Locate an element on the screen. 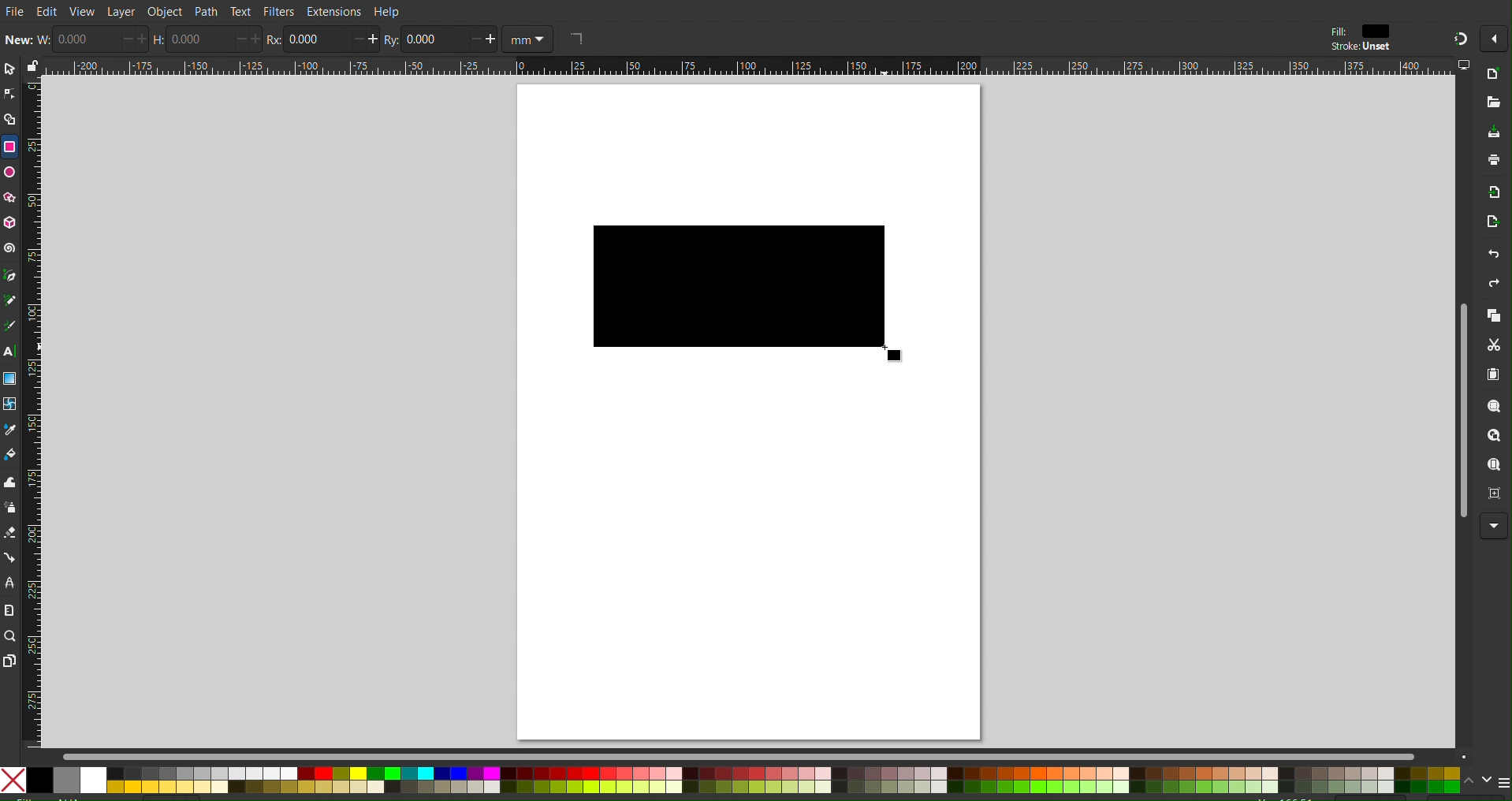  Print is located at coordinates (1490, 164).